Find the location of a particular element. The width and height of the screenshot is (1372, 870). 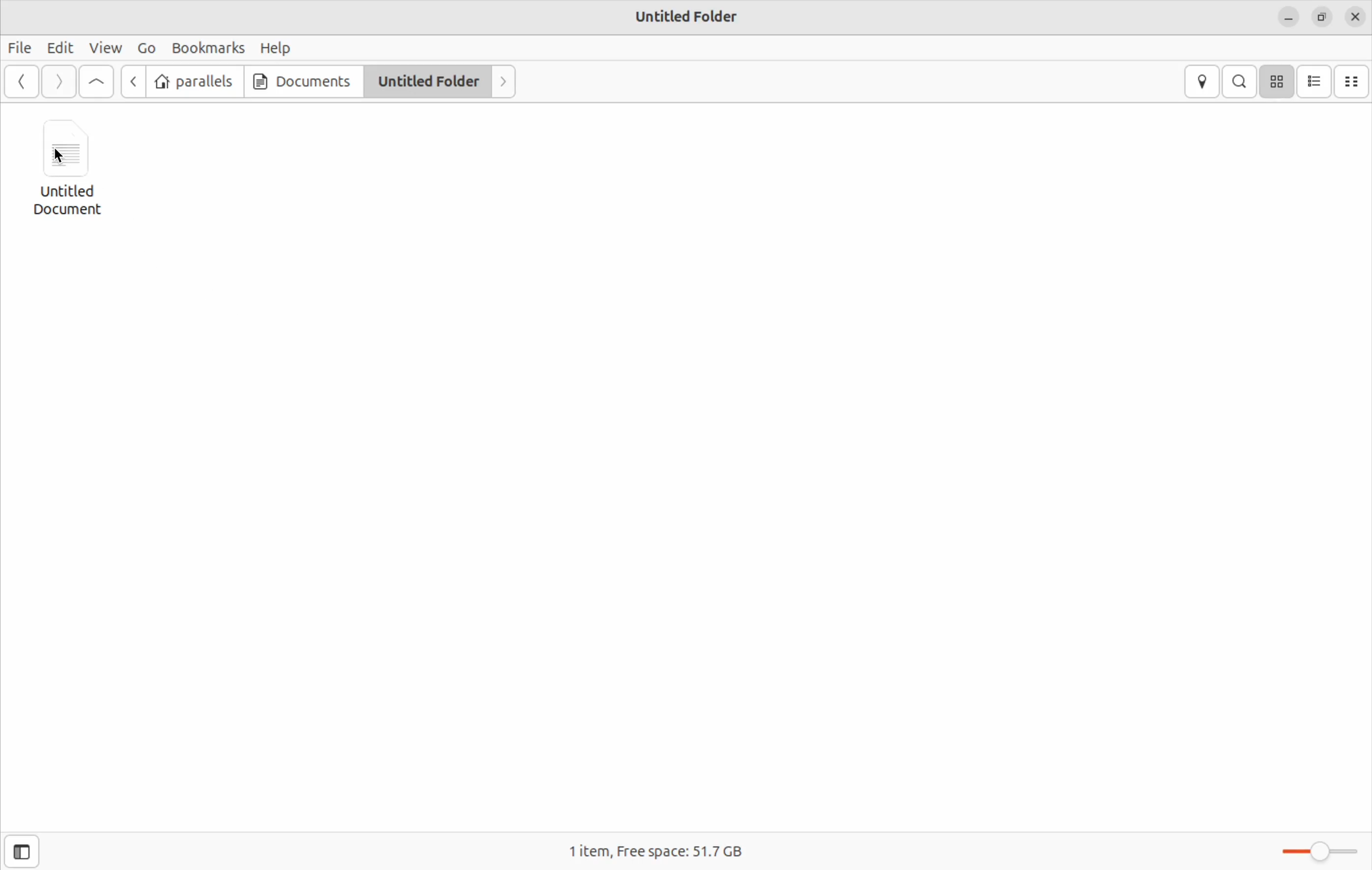

location is located at coordinates (1203, 83).